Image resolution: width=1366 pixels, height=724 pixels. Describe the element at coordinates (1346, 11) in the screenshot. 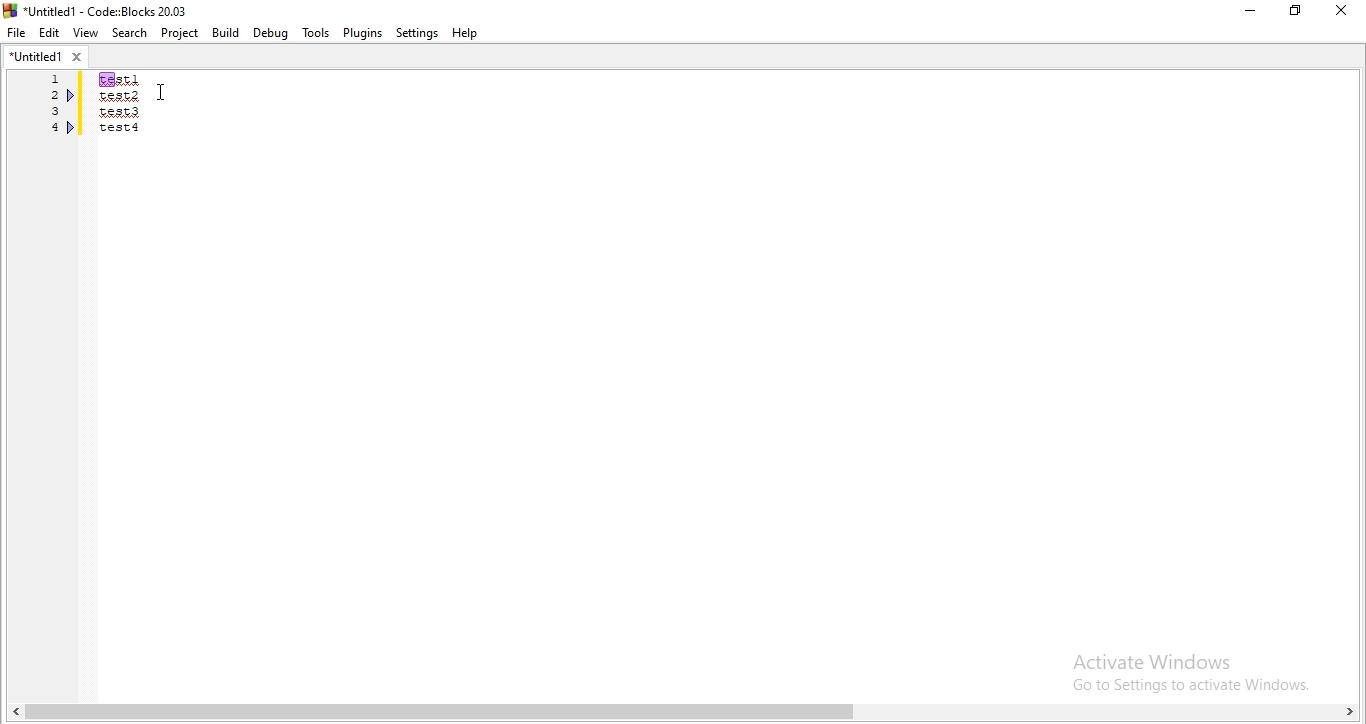

I see `close` at that location.